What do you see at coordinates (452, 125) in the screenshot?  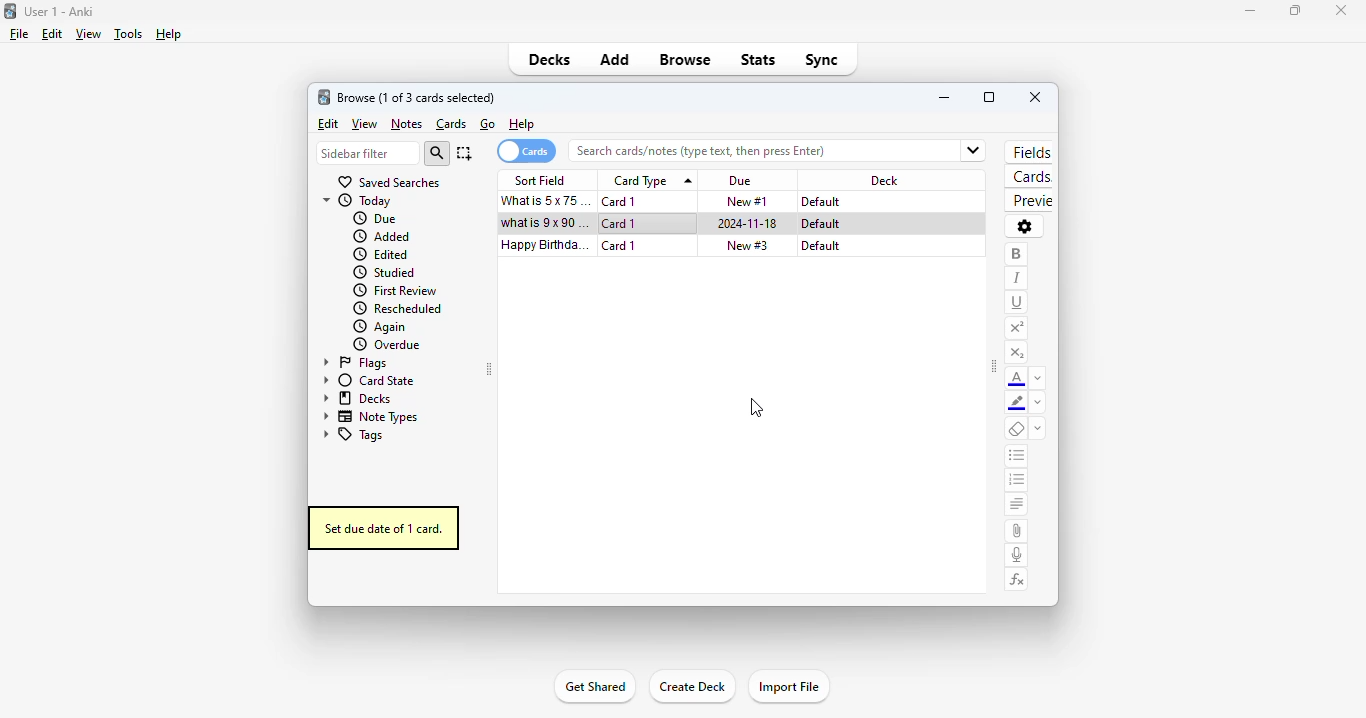 I see `cards` at bounding box center [452, 125].